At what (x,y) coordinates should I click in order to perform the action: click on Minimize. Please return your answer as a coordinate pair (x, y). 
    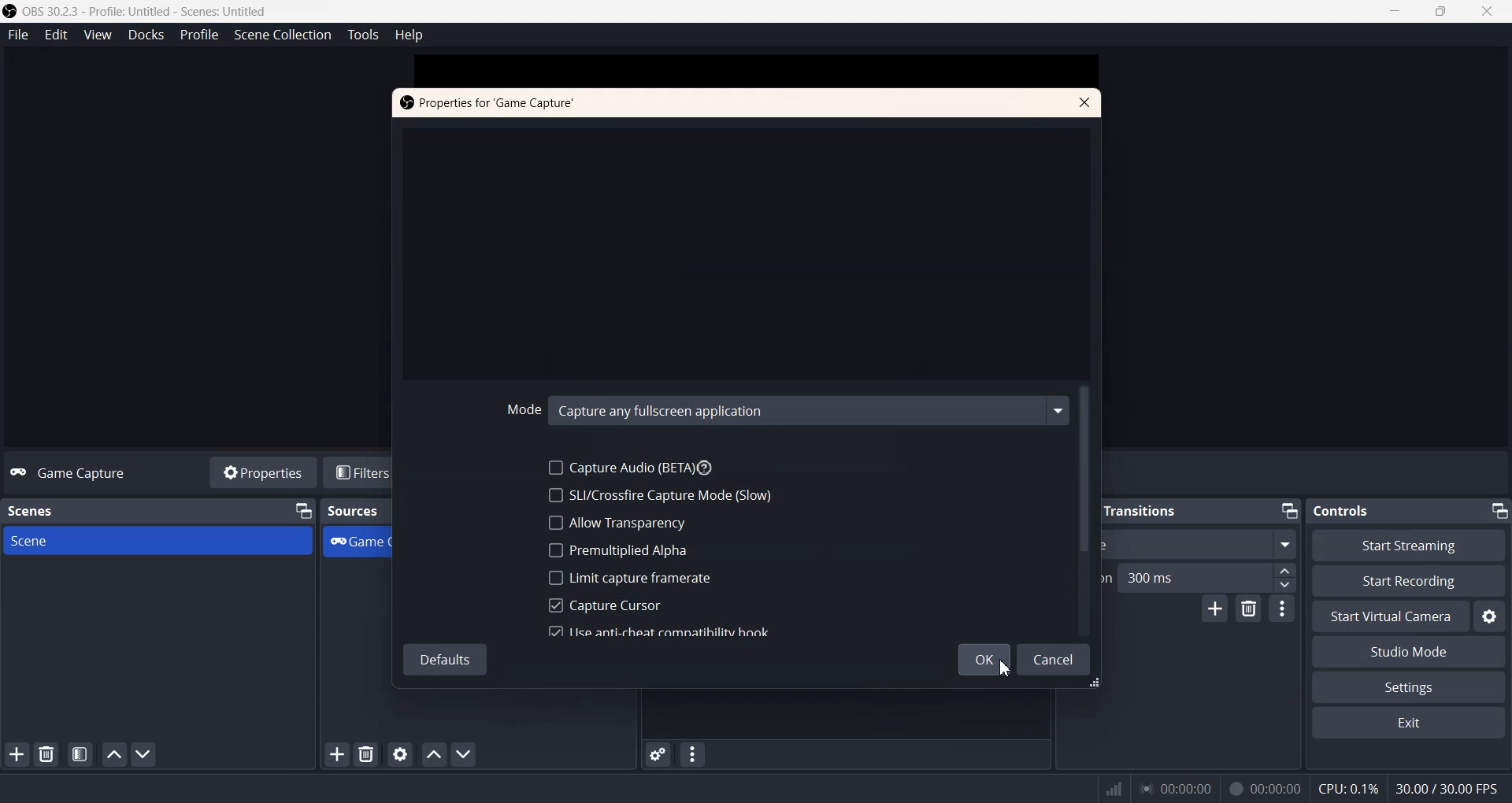
    Looking at the image, I should click on (1499, 510).